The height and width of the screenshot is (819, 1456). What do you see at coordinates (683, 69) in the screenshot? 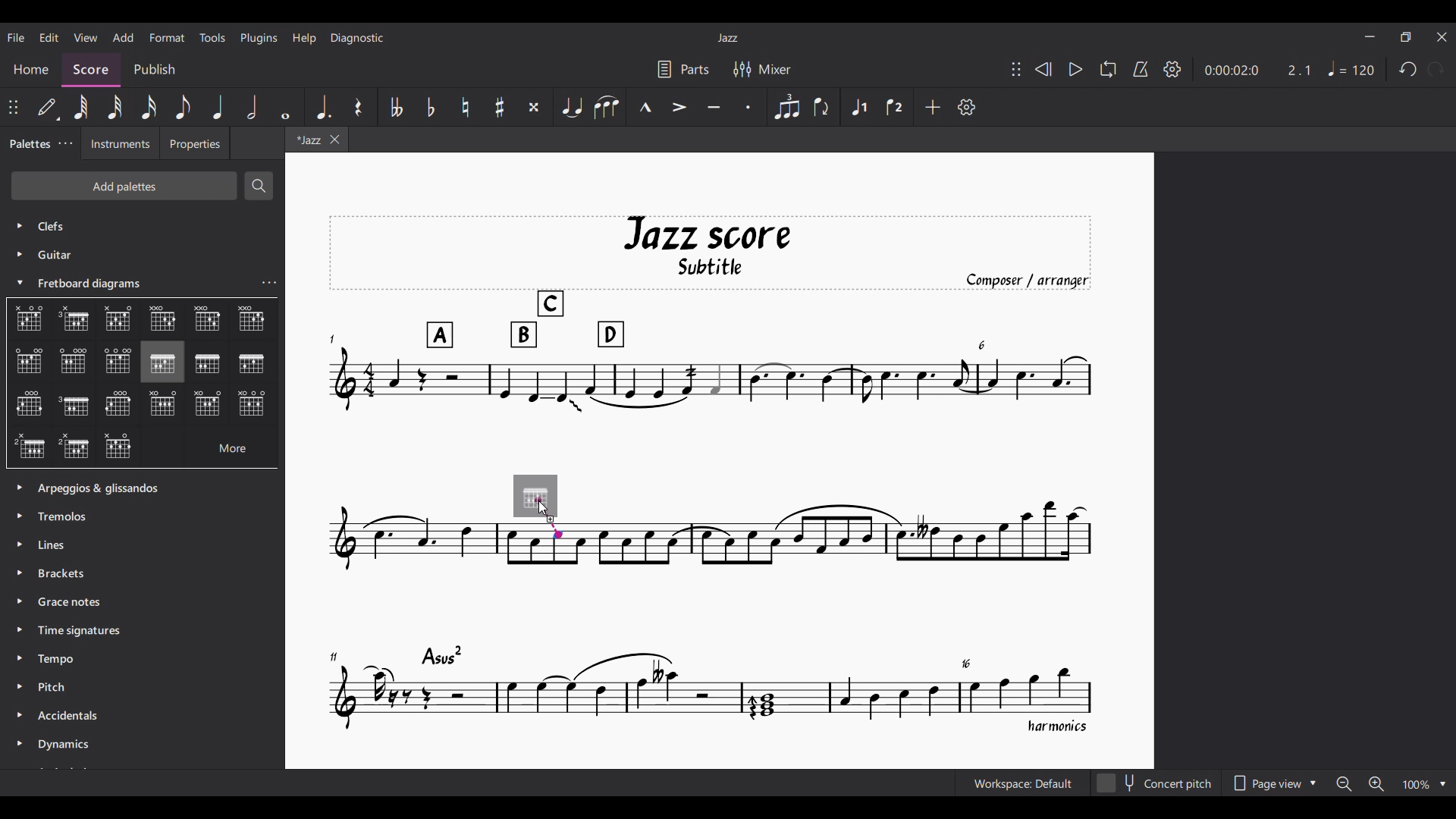
I see `Parts settings` at bounding box center [683, 69].